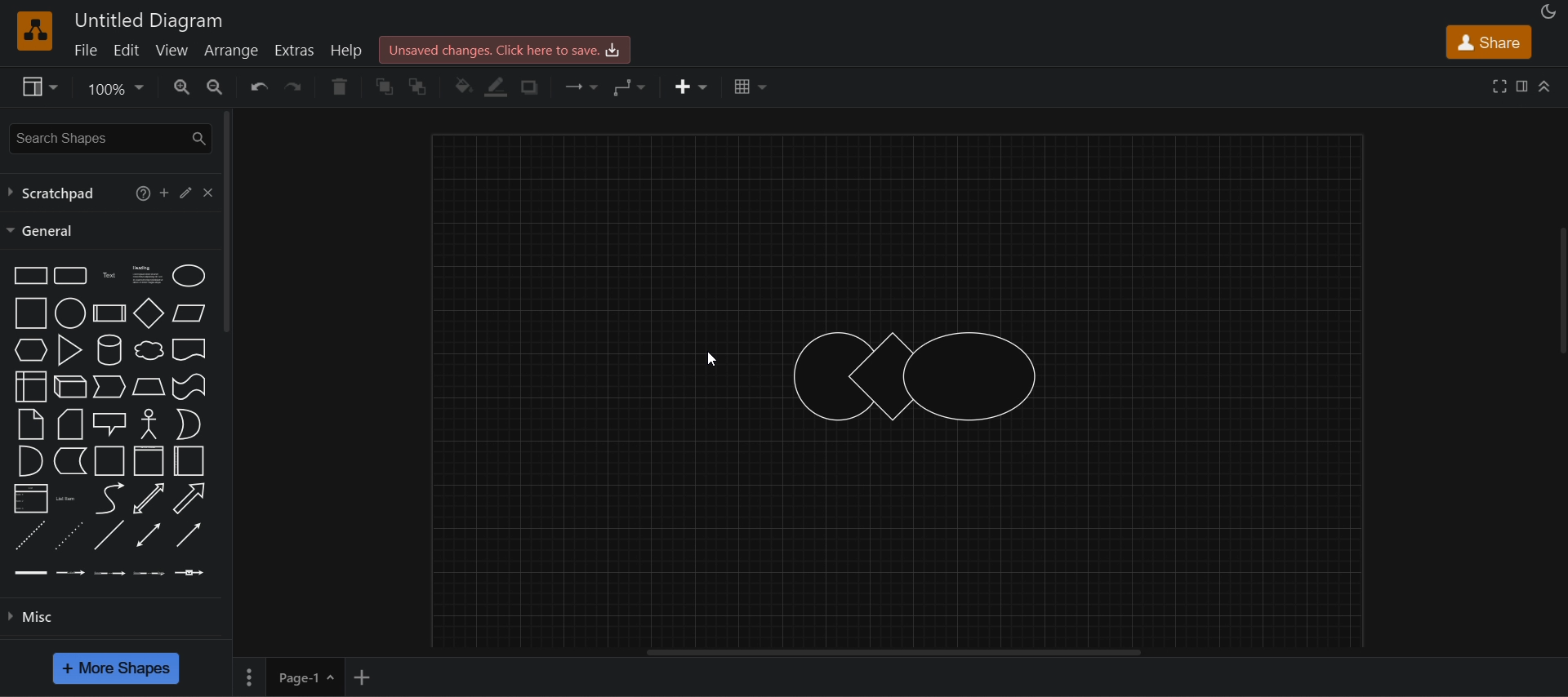 The image size is (1568, 697). What do you see at coordinates (110, 274) in the screenshot?
I see `text` at bounding box center [110, 274].